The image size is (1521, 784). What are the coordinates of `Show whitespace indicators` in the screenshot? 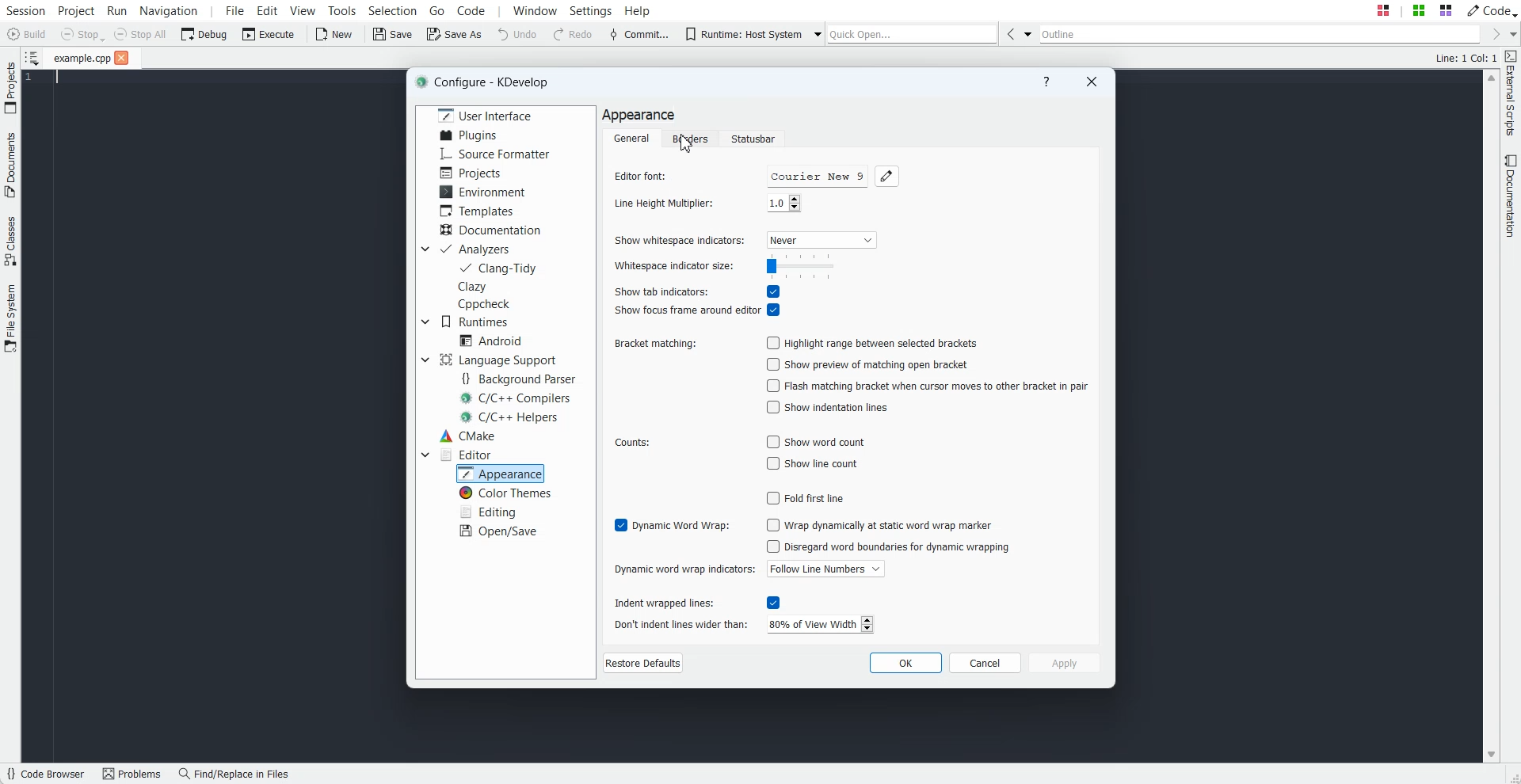 It's located at (685, 238).